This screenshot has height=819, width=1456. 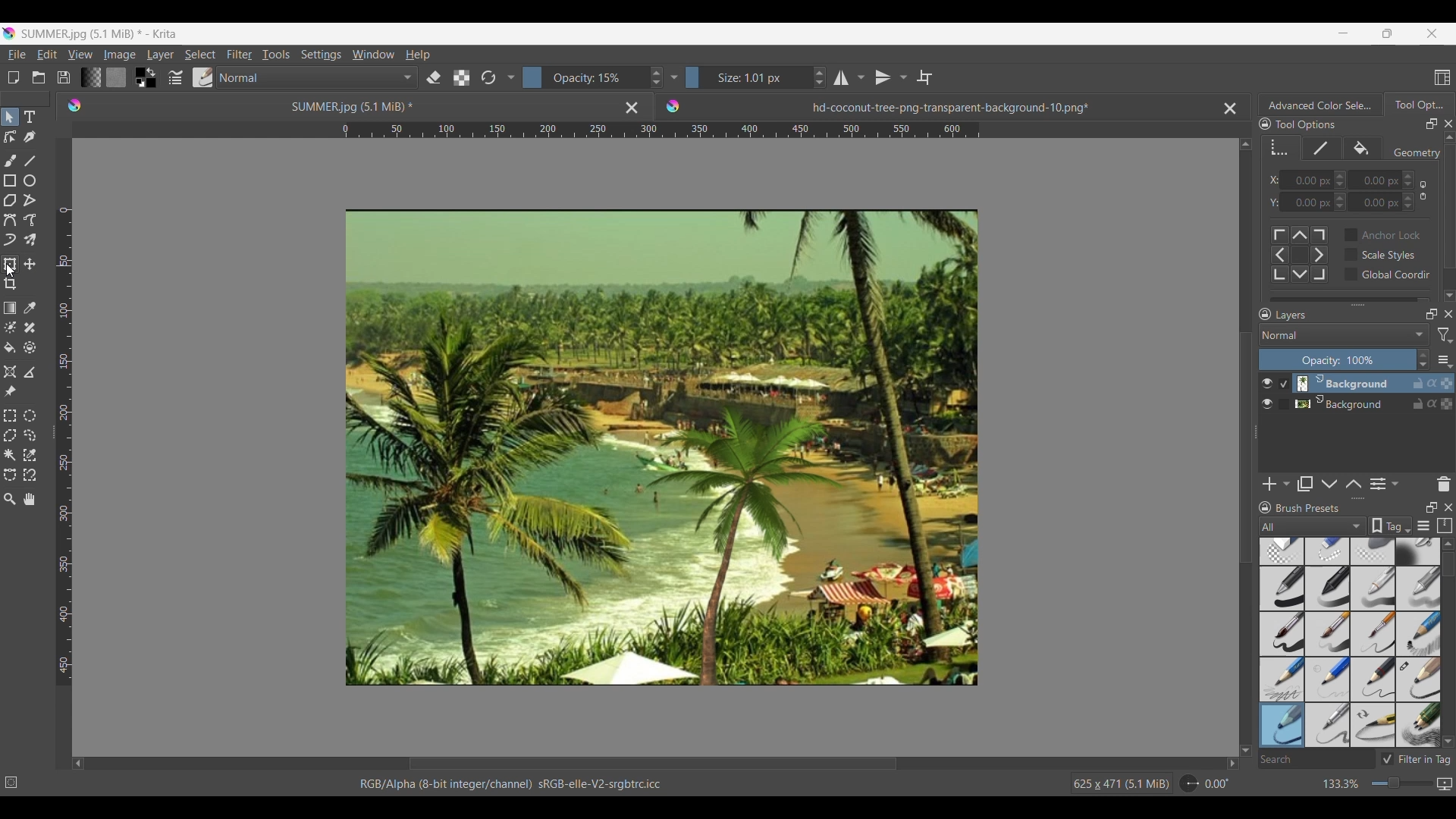 I want to click on Edit shapes tool, so click(x=10, y=136).